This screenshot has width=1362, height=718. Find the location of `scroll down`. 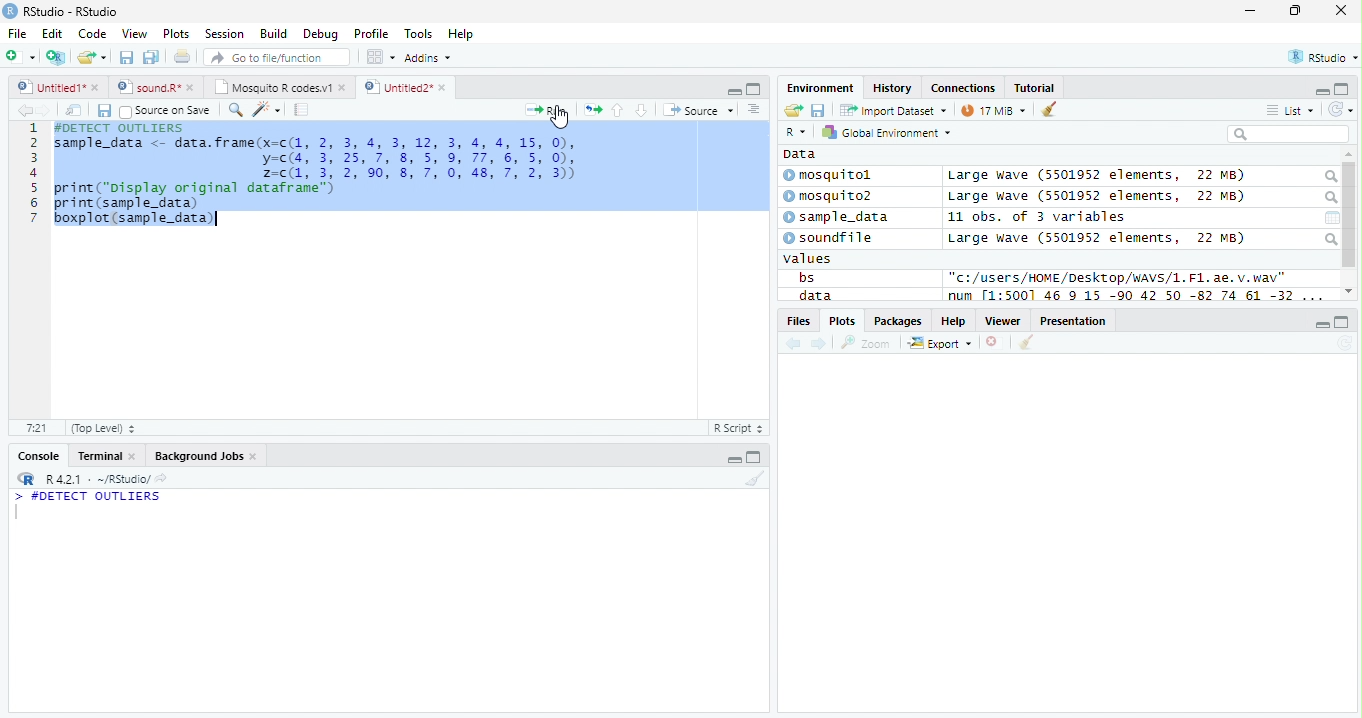

scroll down is located at coordinates (1349, 291).